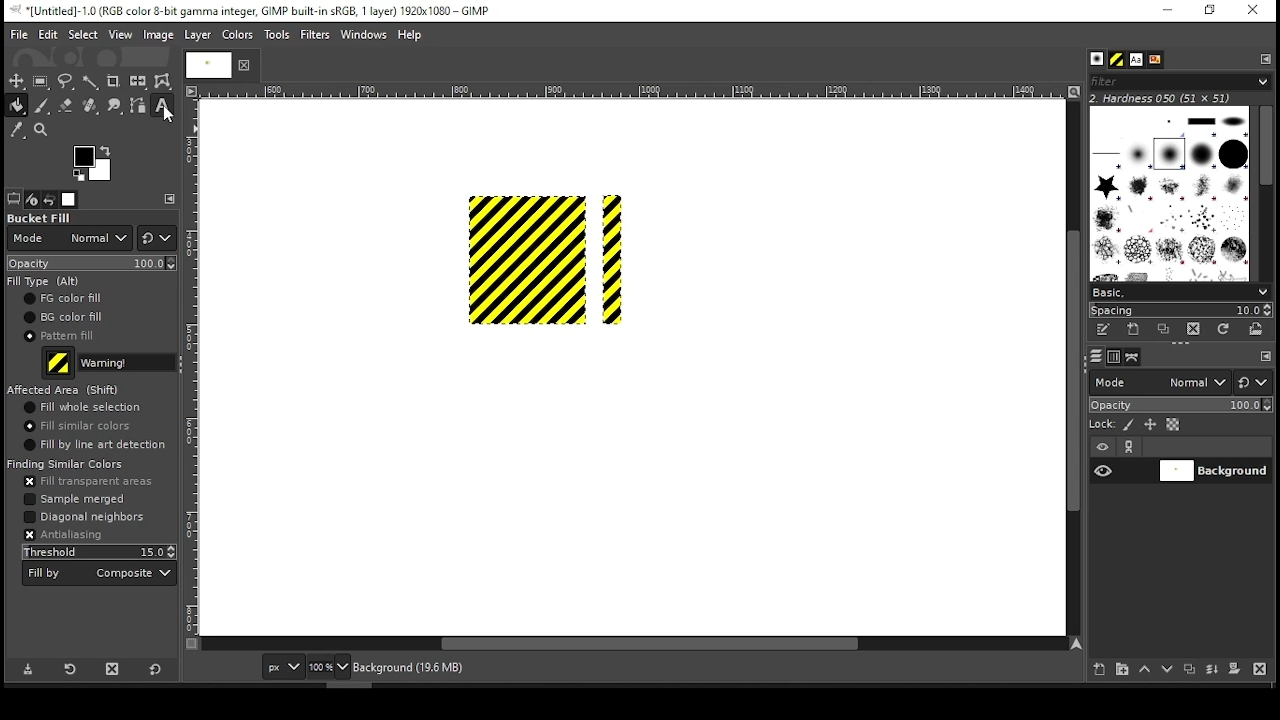 The width and height of the screenshot is (1280, 720). I want to click on , so click(629, 92).